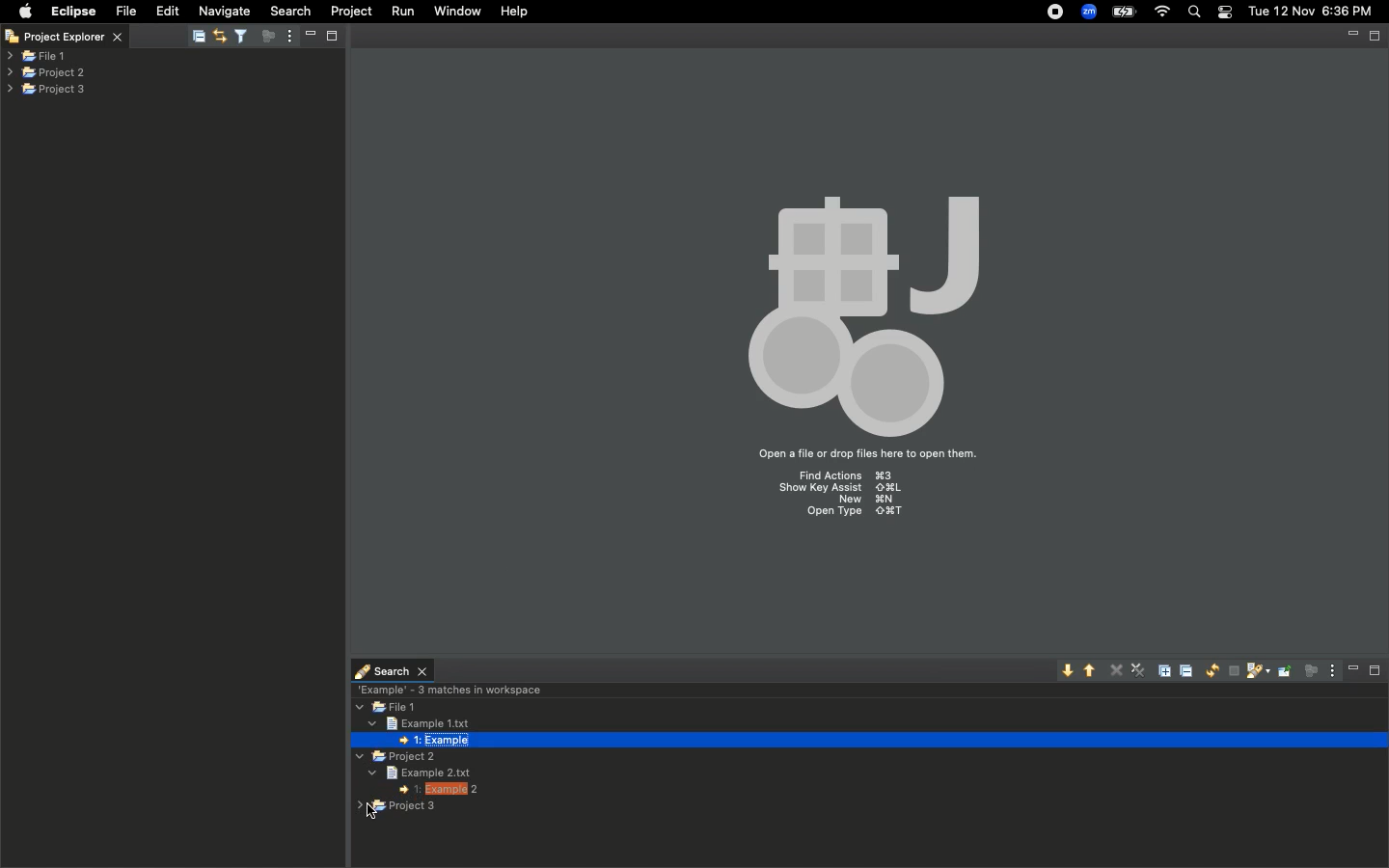 This screenshot has height=868, width=1389. What do you see at coordinates (1122, 12) in the screenshot?
I see `Charge` at bounding box center [1122, 12].